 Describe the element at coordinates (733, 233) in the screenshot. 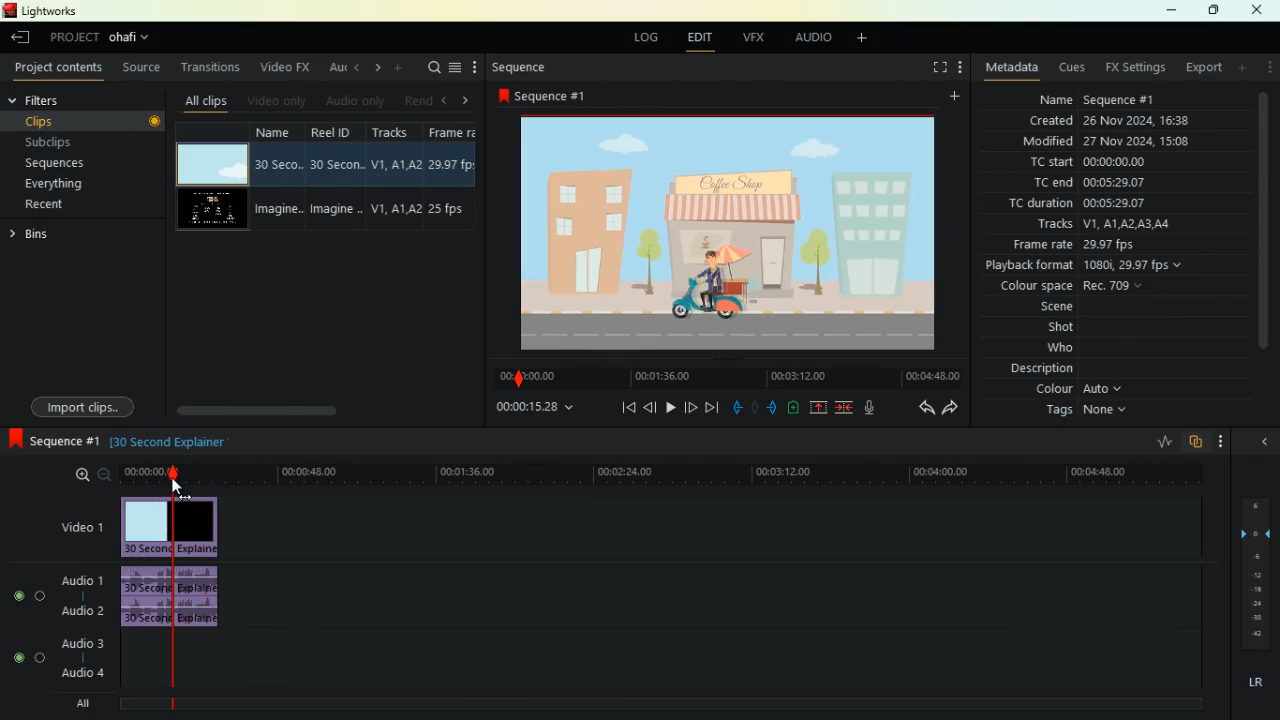

I see `image` at that location.